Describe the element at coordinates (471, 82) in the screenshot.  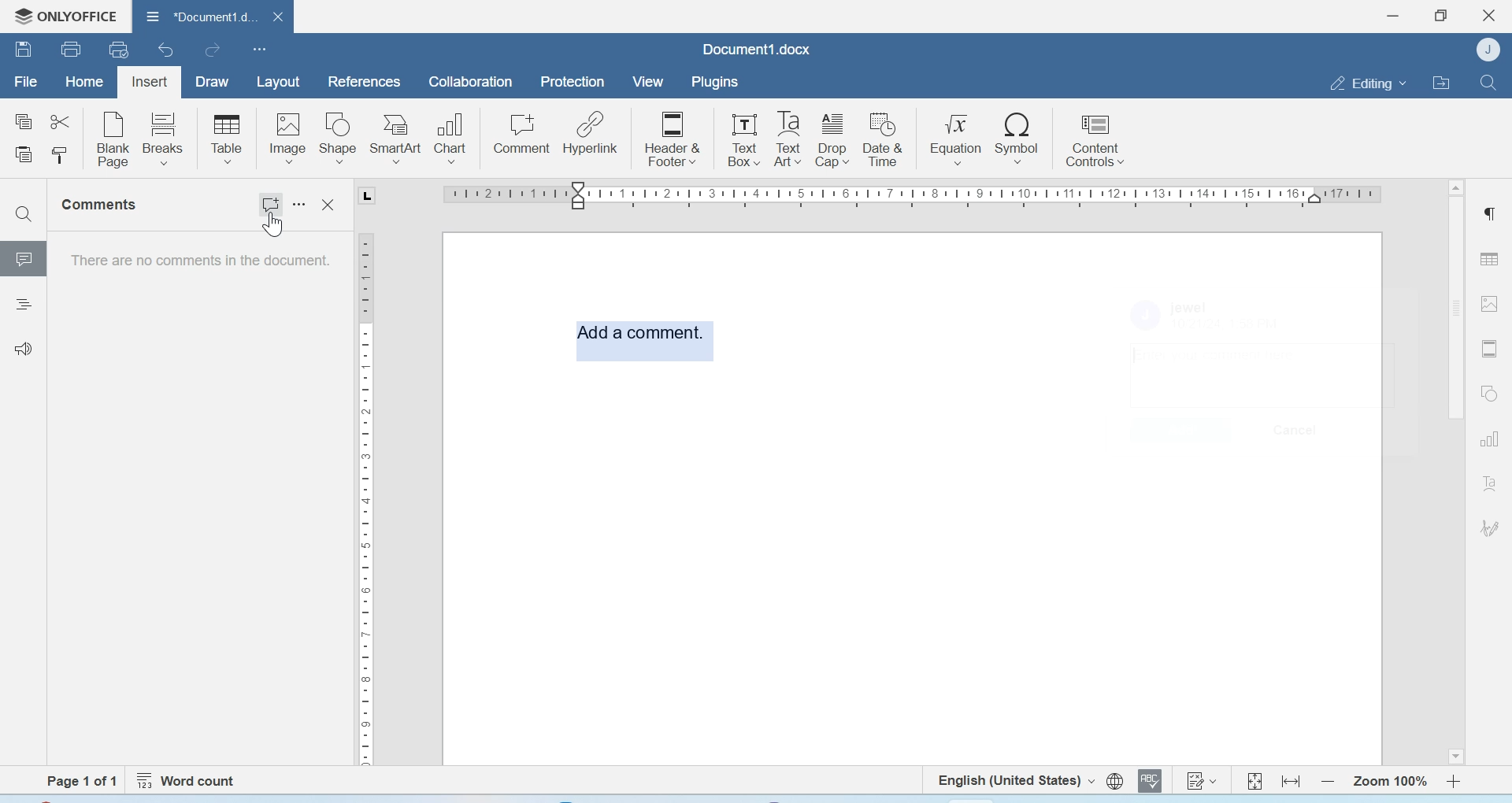
I see `Collaboration` at that location.